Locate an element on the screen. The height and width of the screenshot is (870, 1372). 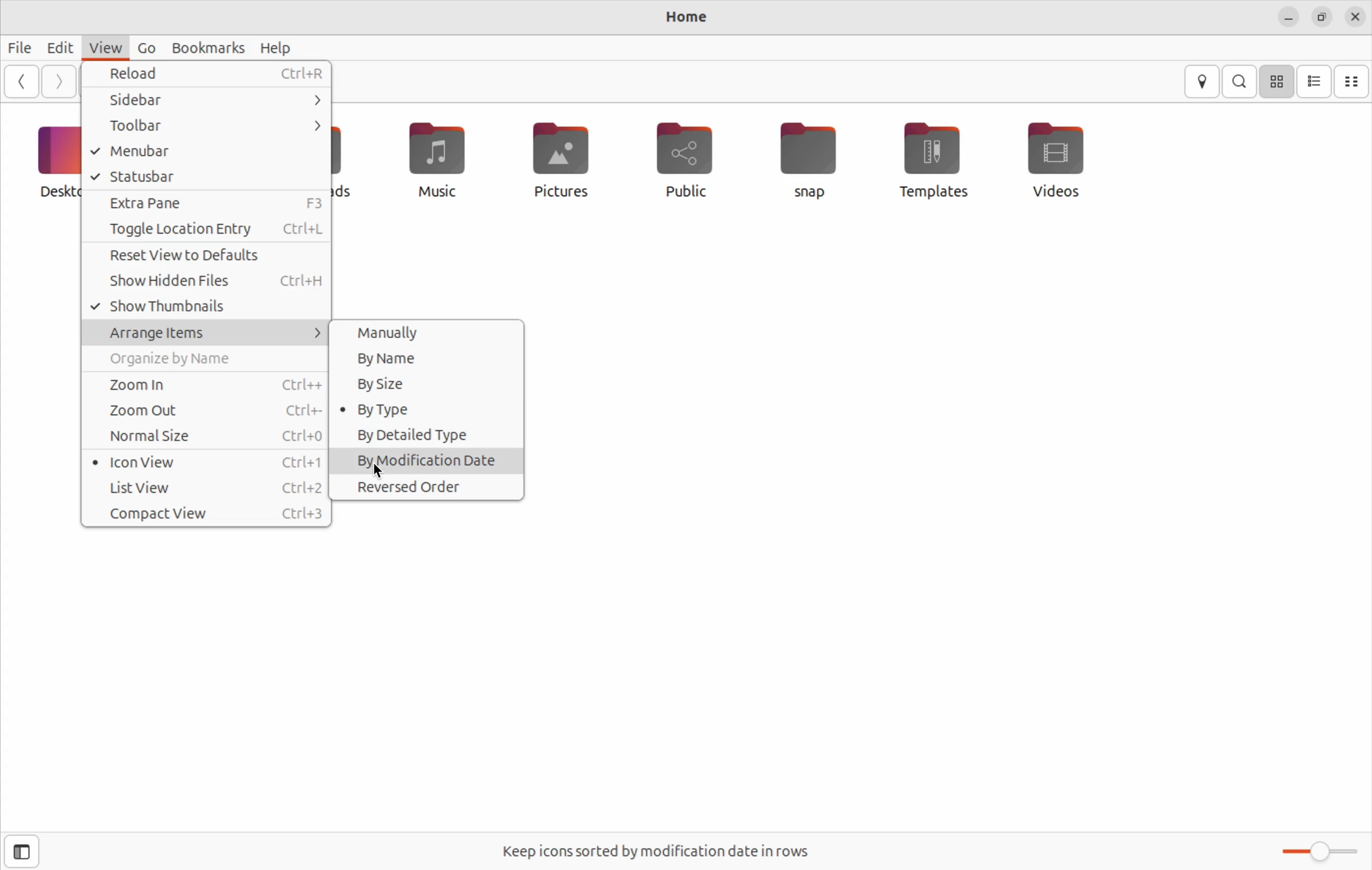
Go is located at coordinates (145, 47).